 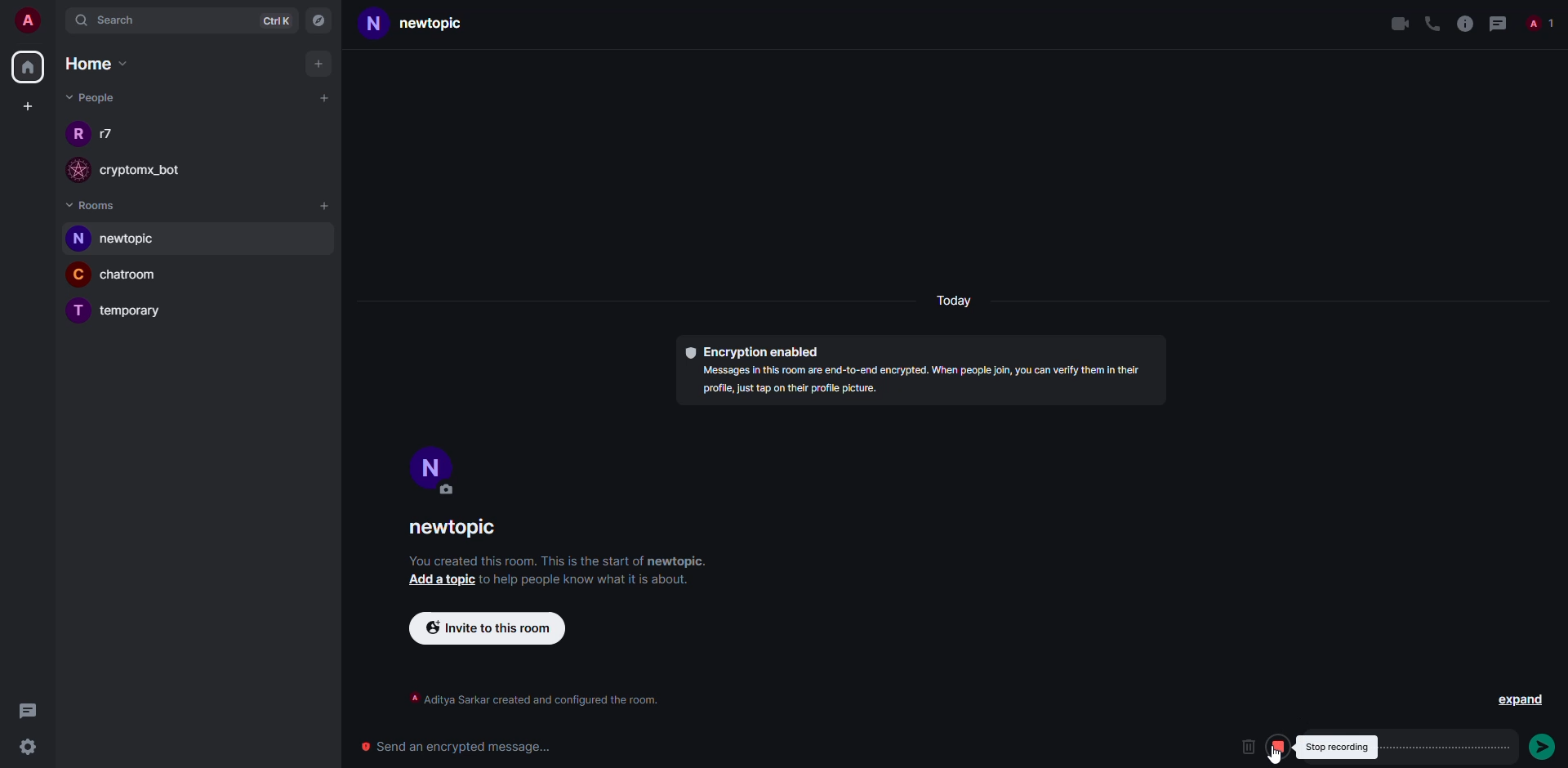 What do you see at coordinates (78, 239) in the screenshot?
I see `N` at bounding box center [78, 239].